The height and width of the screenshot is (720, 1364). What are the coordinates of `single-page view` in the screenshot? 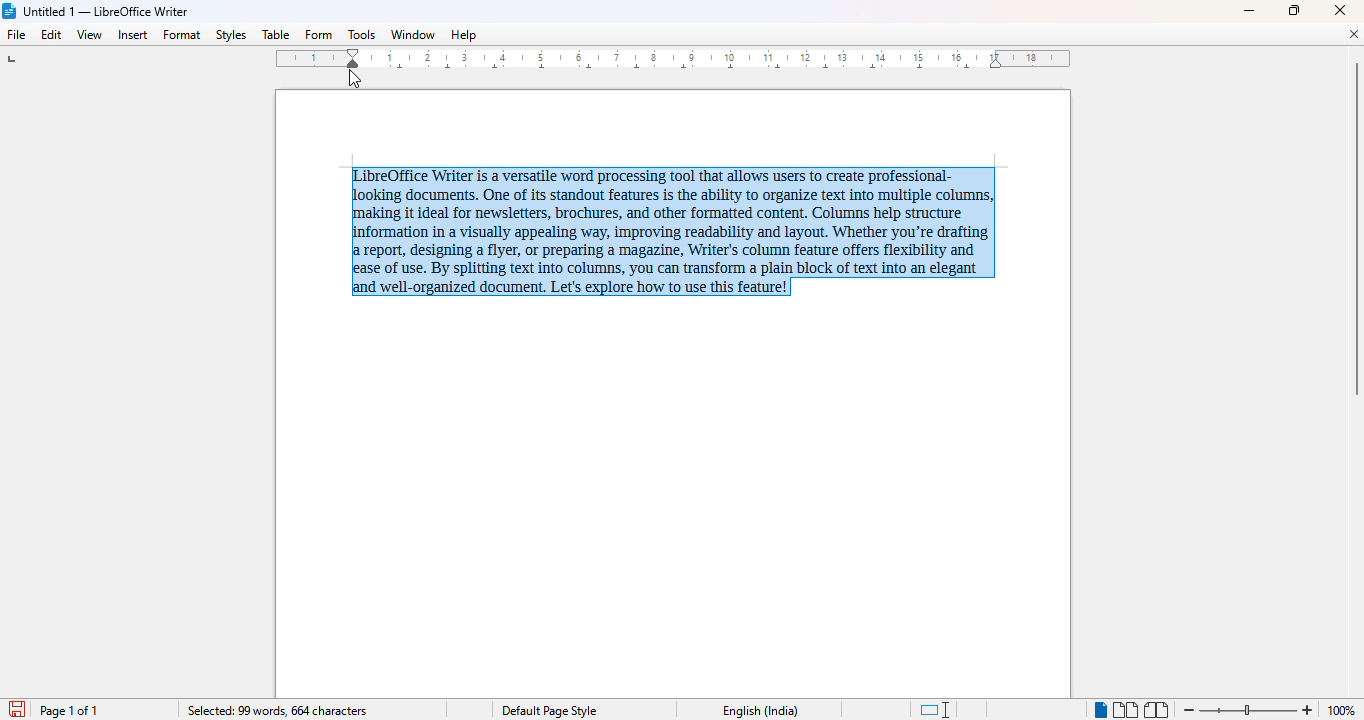 It's located at (1100, 711).